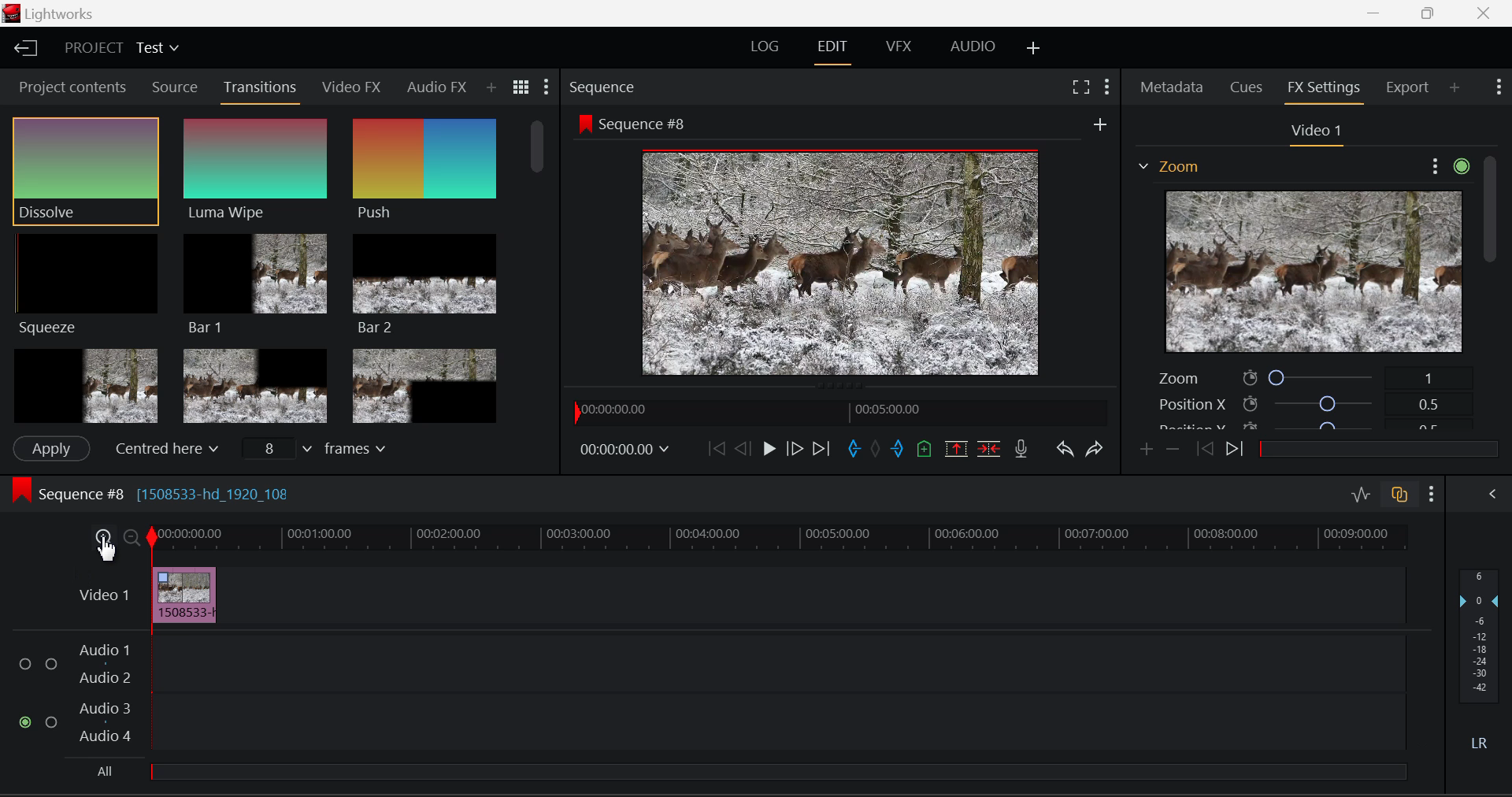  I want to click on Transitions, so click(263, 89).